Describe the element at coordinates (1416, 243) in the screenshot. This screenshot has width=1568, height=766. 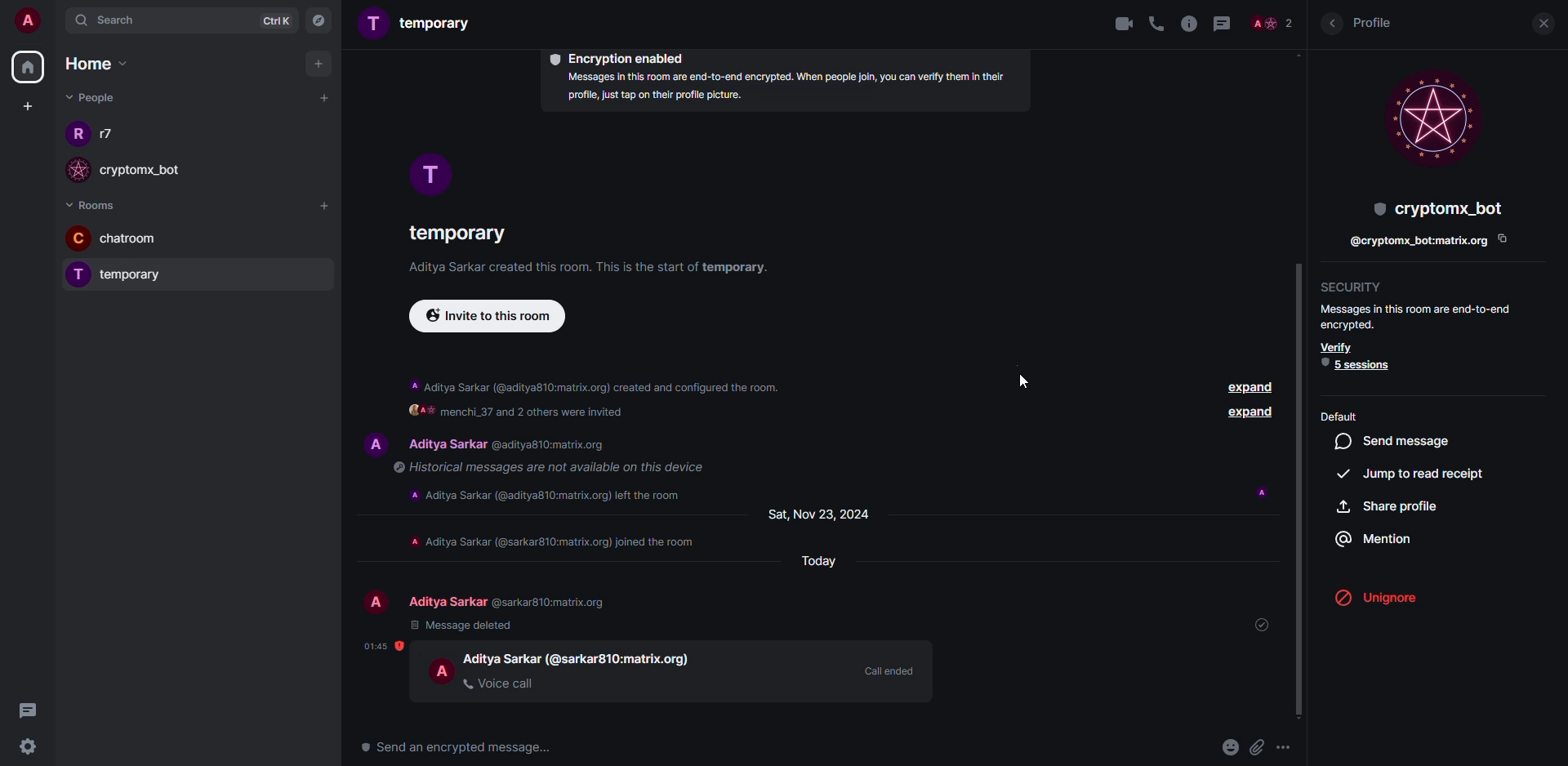
I see `id` at that location.